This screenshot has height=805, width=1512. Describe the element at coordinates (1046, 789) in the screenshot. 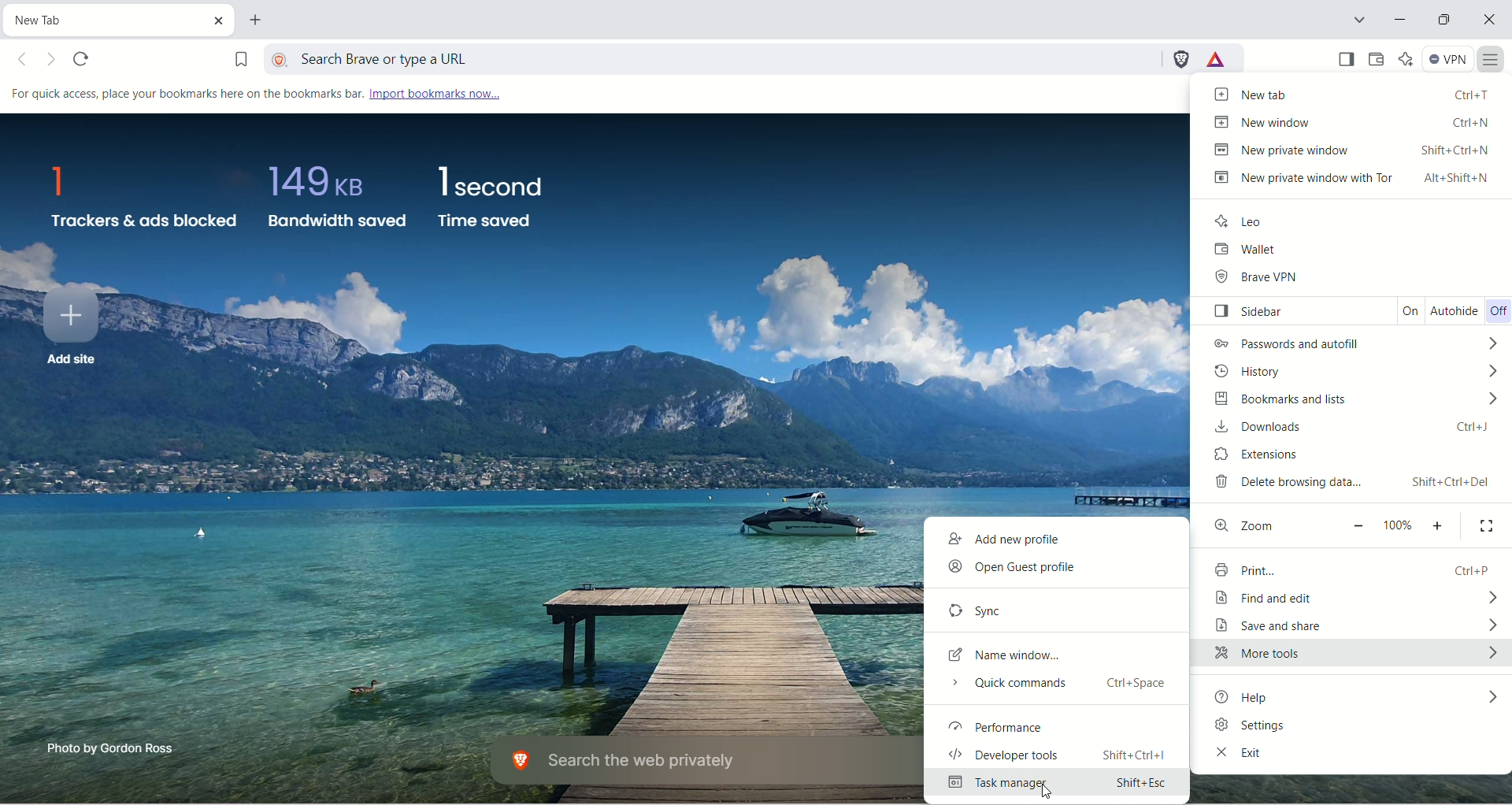

I see `cursor` at that location.